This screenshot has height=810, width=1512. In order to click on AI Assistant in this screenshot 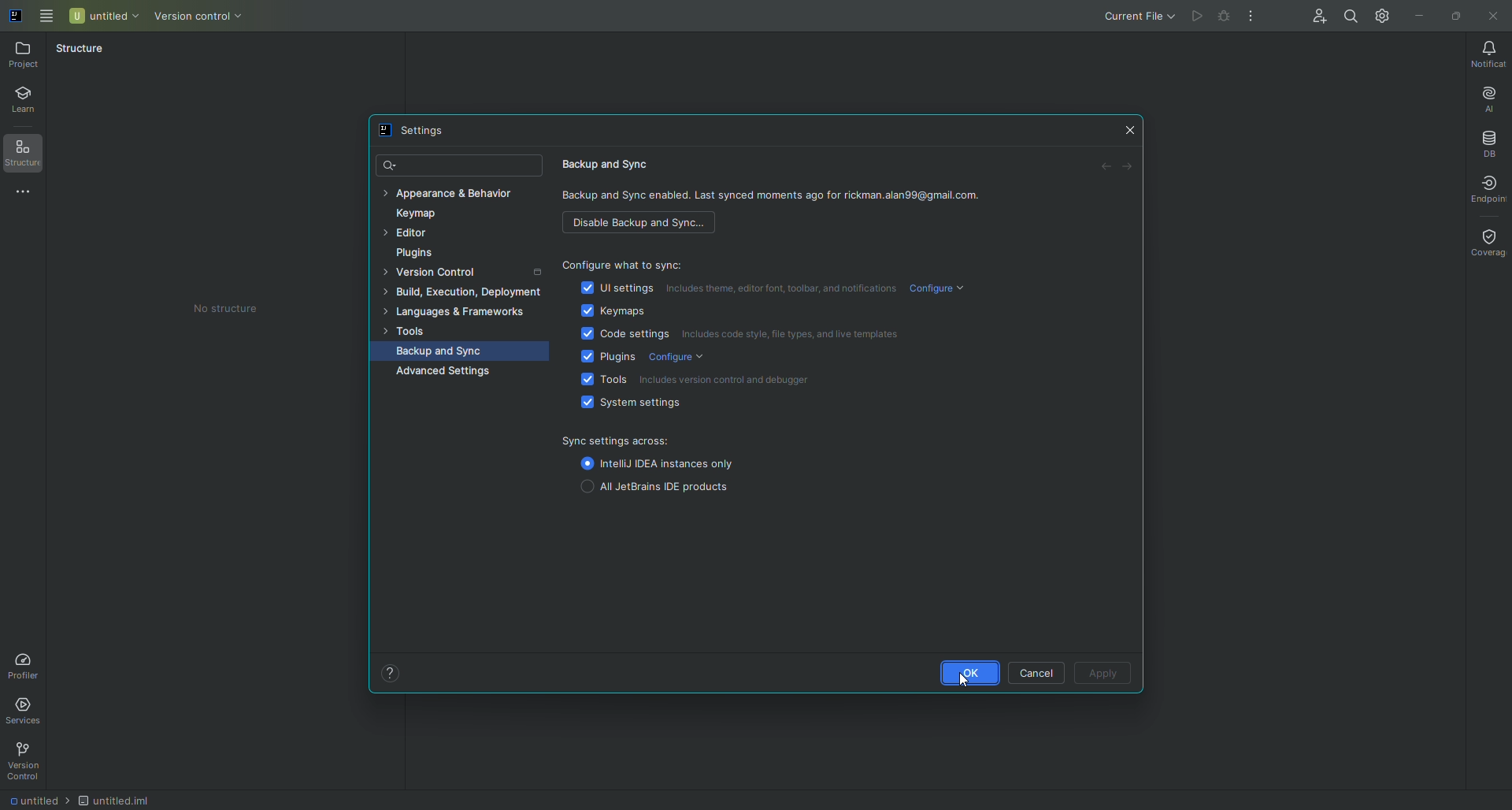, I will do `click(1484, 95)`.